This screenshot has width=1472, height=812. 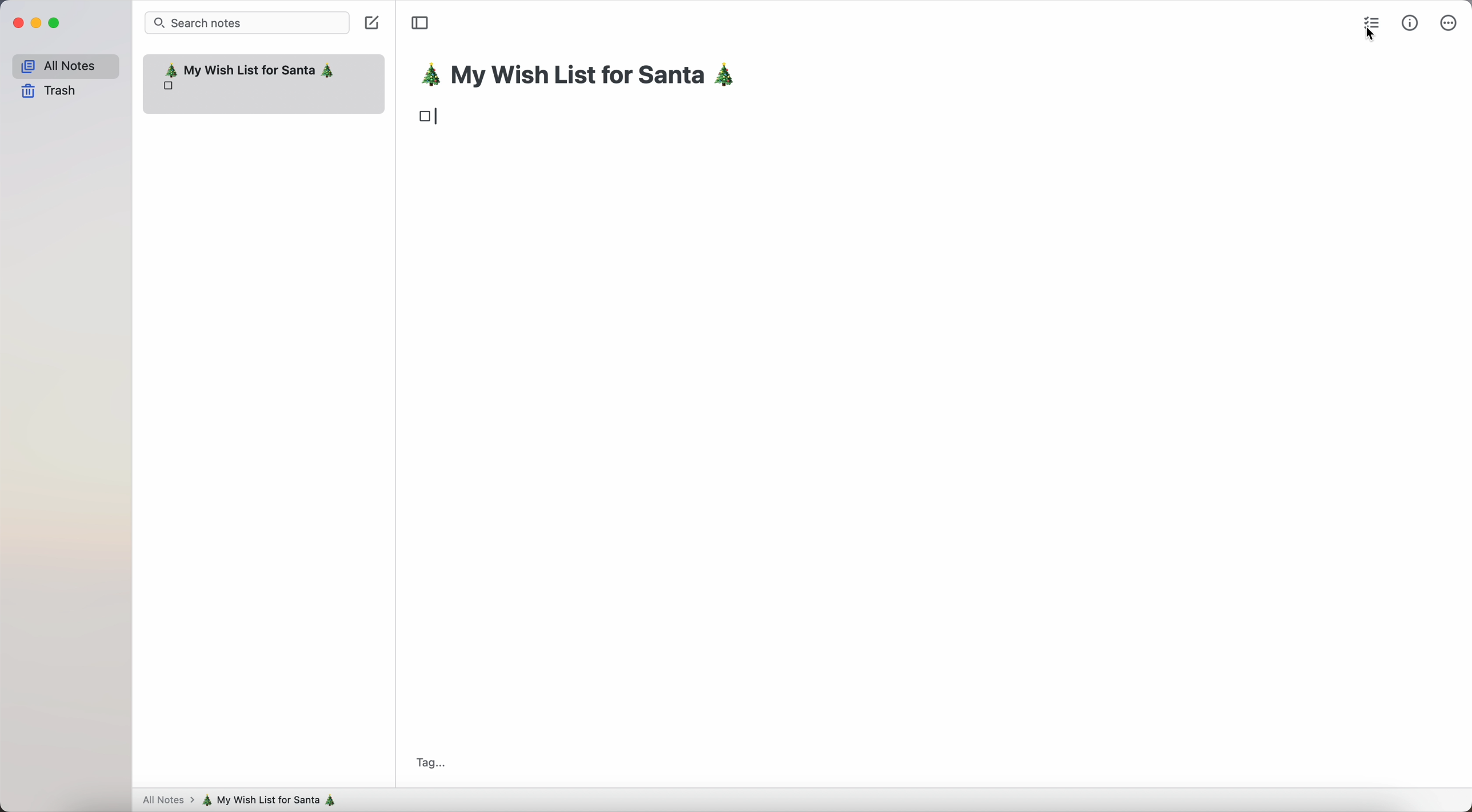 What do you see at coordinates (16, 23) in the screenshot?
I see `close Simplenote` at bounding box center [16, 23].